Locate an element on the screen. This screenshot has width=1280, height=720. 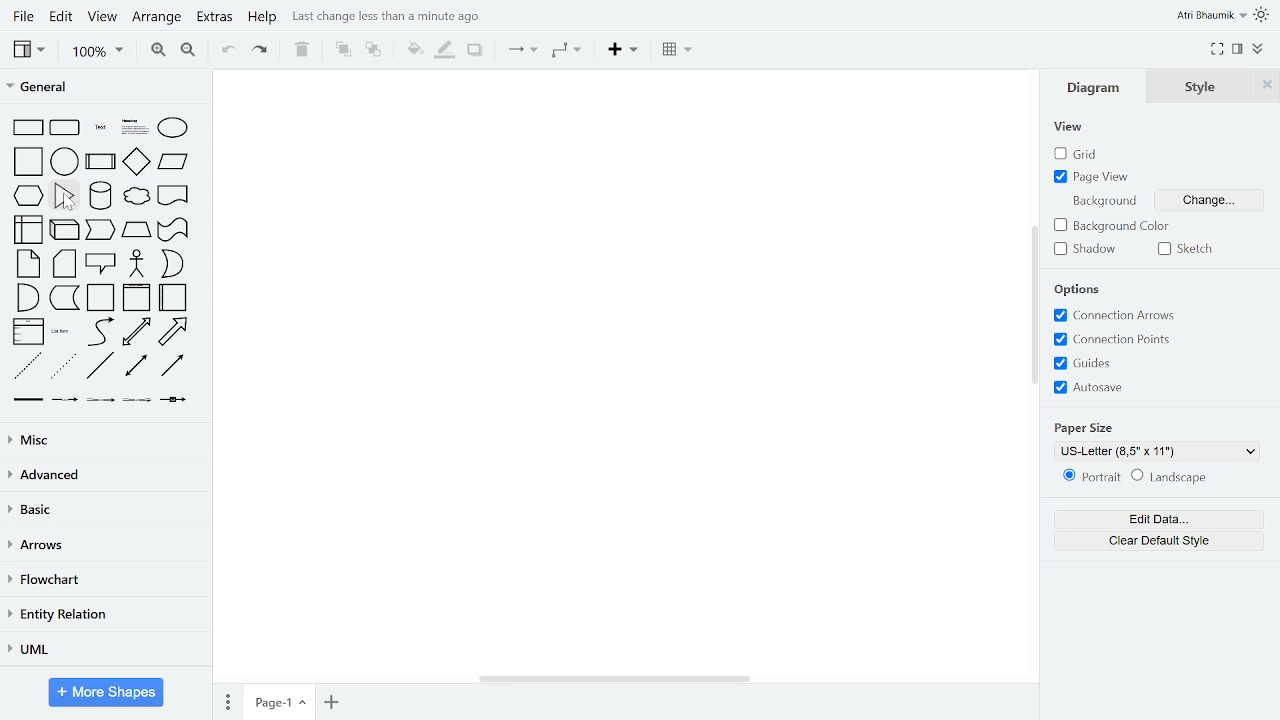
general is located at coordinates (101, 85).